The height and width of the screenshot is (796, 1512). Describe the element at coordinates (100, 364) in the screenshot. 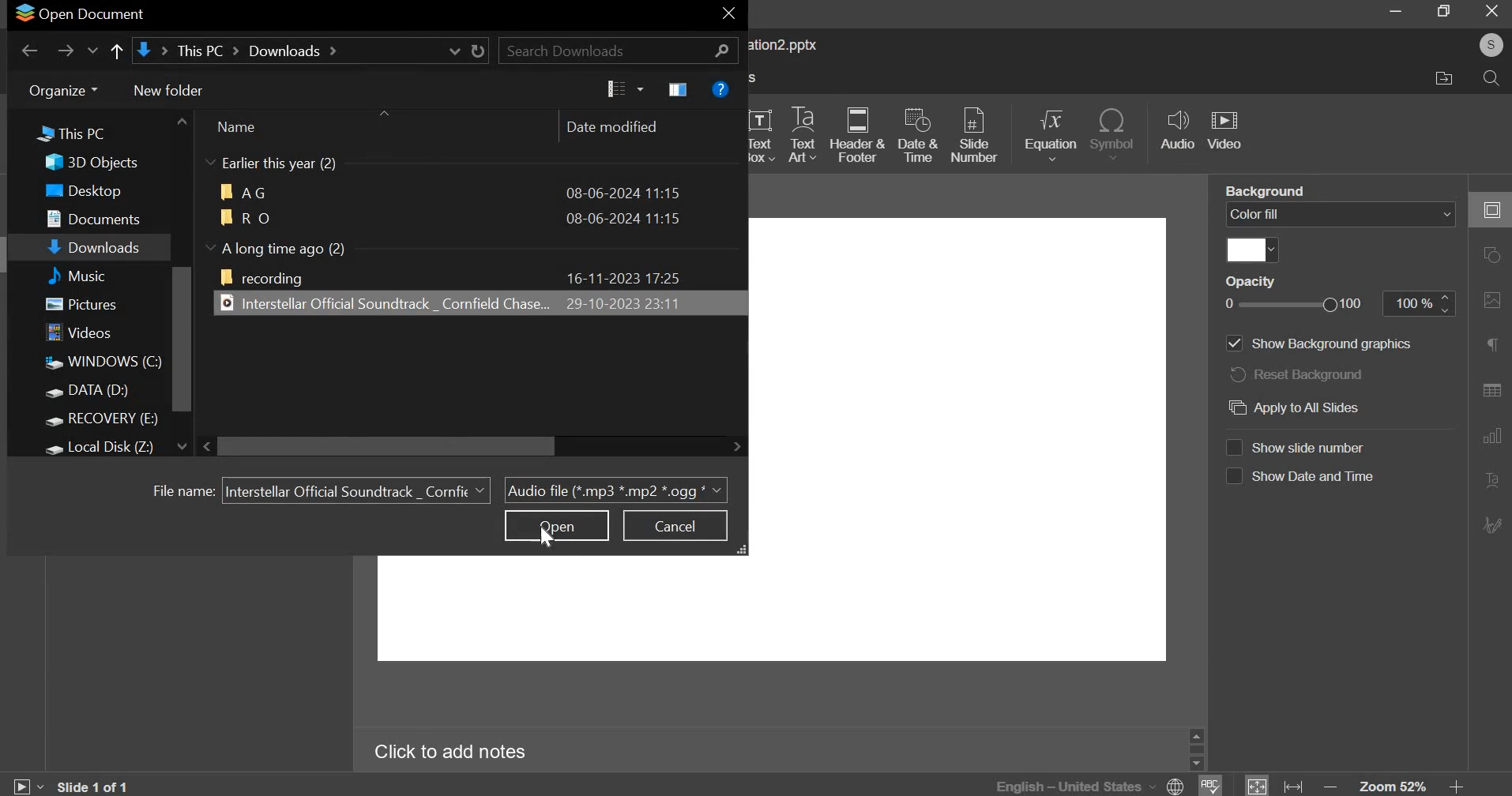

I see `WINDOWS (C:)` at that location.